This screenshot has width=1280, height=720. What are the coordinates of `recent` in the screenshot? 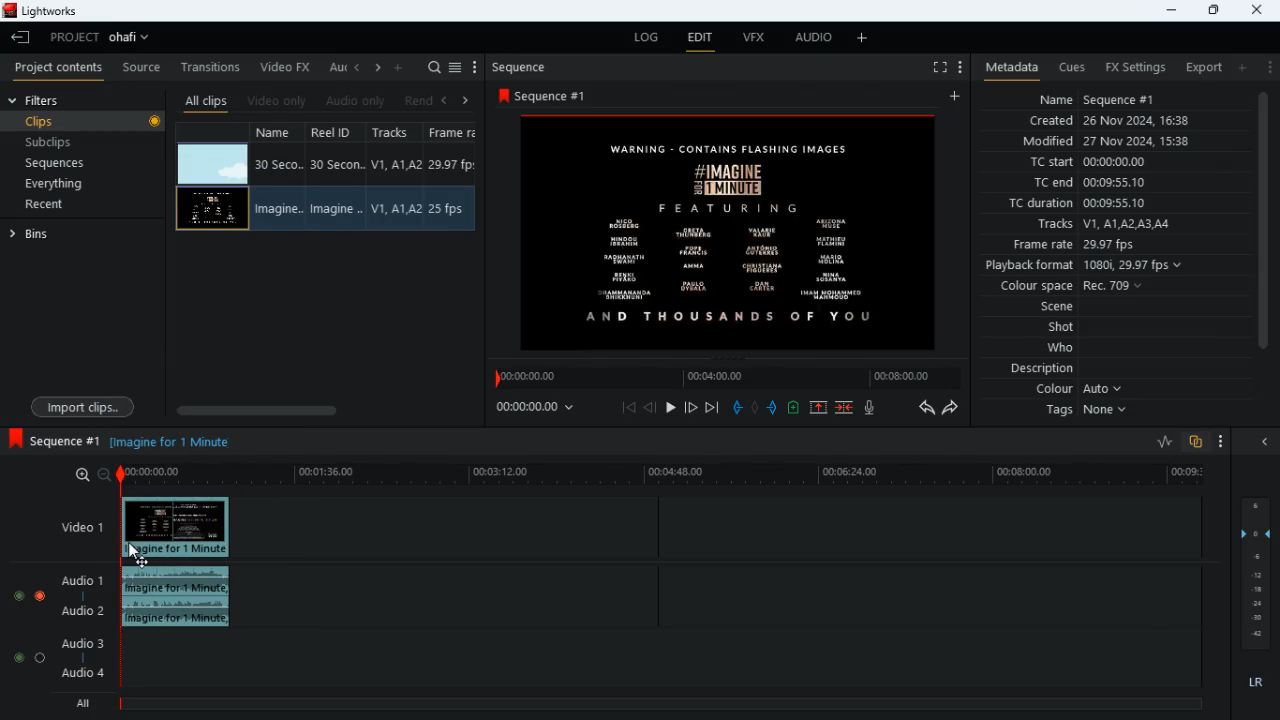 It's located at (63, 206).